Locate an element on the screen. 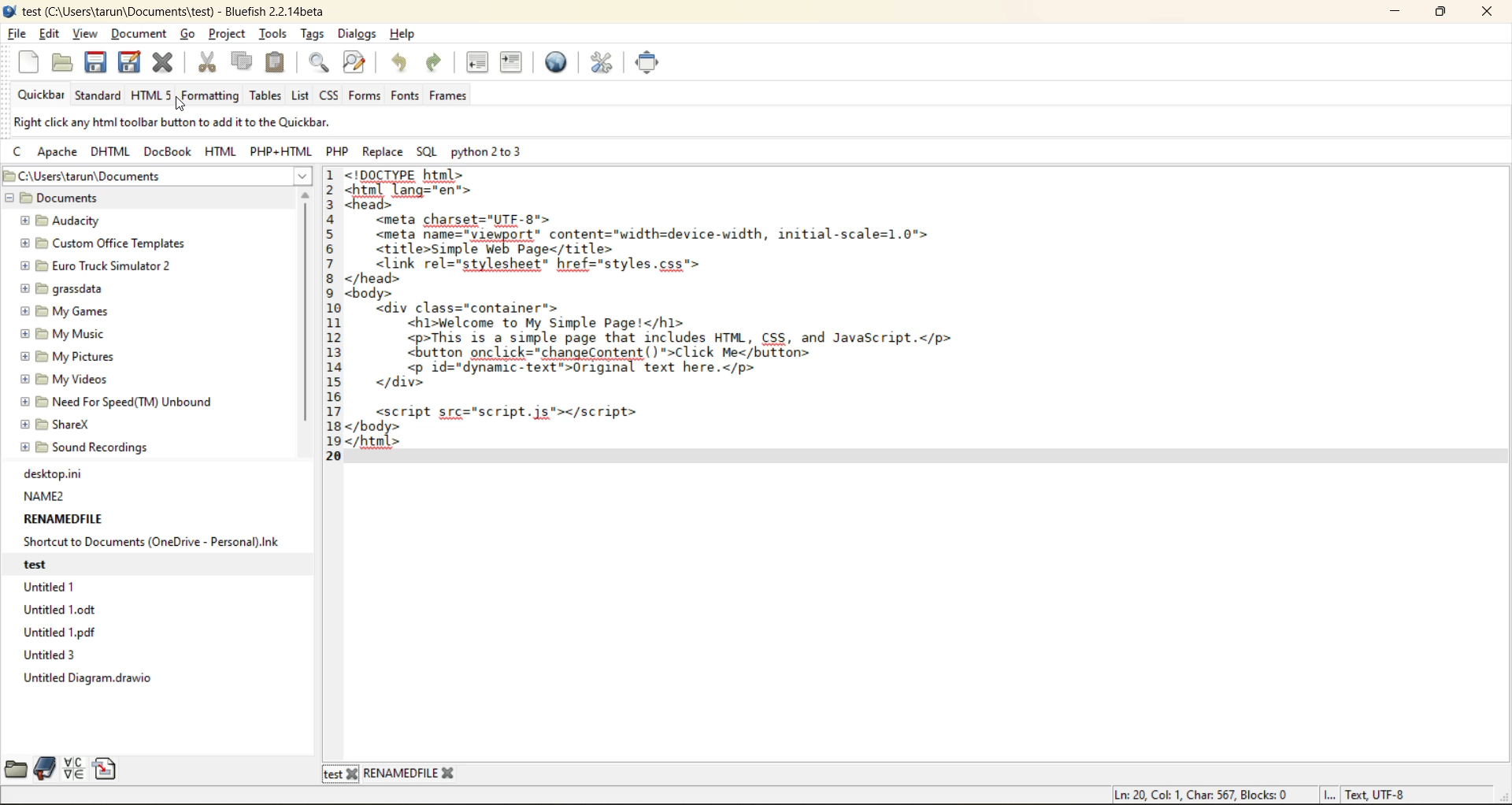 This screenshot has height=805, width=1512. tools is located at coordinates (270, 35).